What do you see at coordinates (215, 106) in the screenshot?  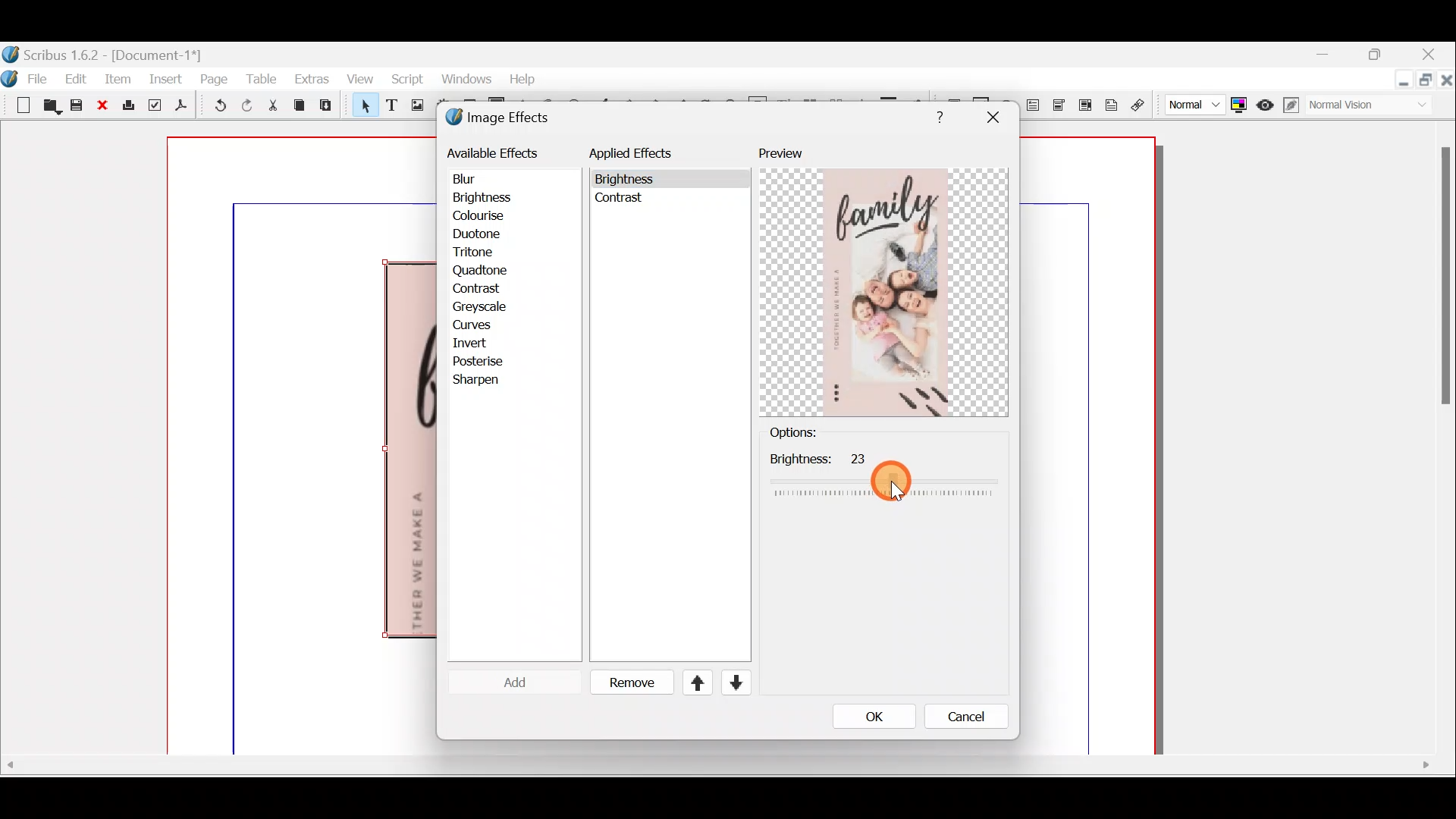 I see `Undo` at bounding box center [215, 106].